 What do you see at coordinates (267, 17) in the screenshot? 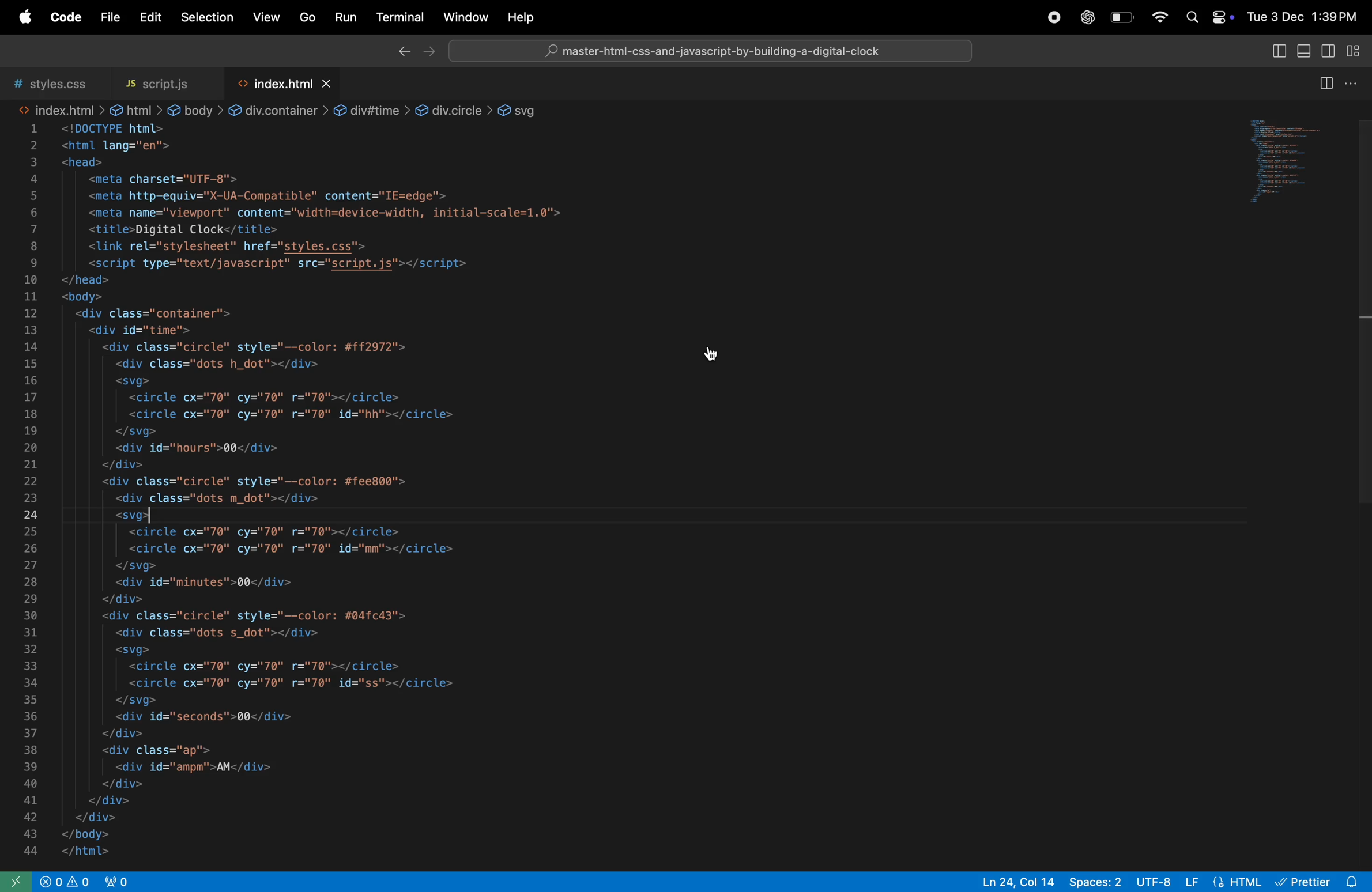
I see `view` at bounding box center [267, 17].